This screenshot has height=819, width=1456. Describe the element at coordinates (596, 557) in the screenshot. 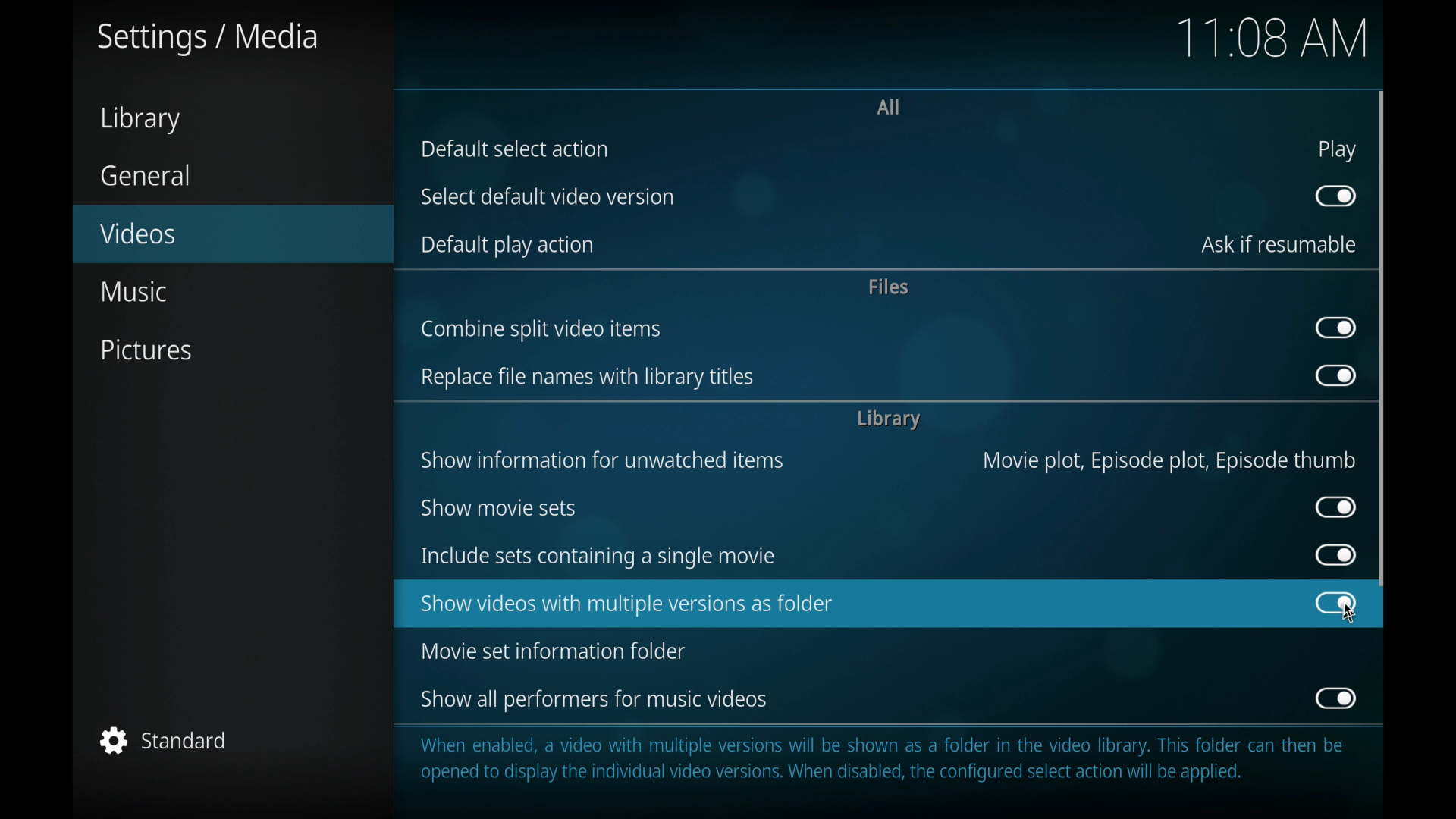

I see `include sets containing a single movie` at that location.